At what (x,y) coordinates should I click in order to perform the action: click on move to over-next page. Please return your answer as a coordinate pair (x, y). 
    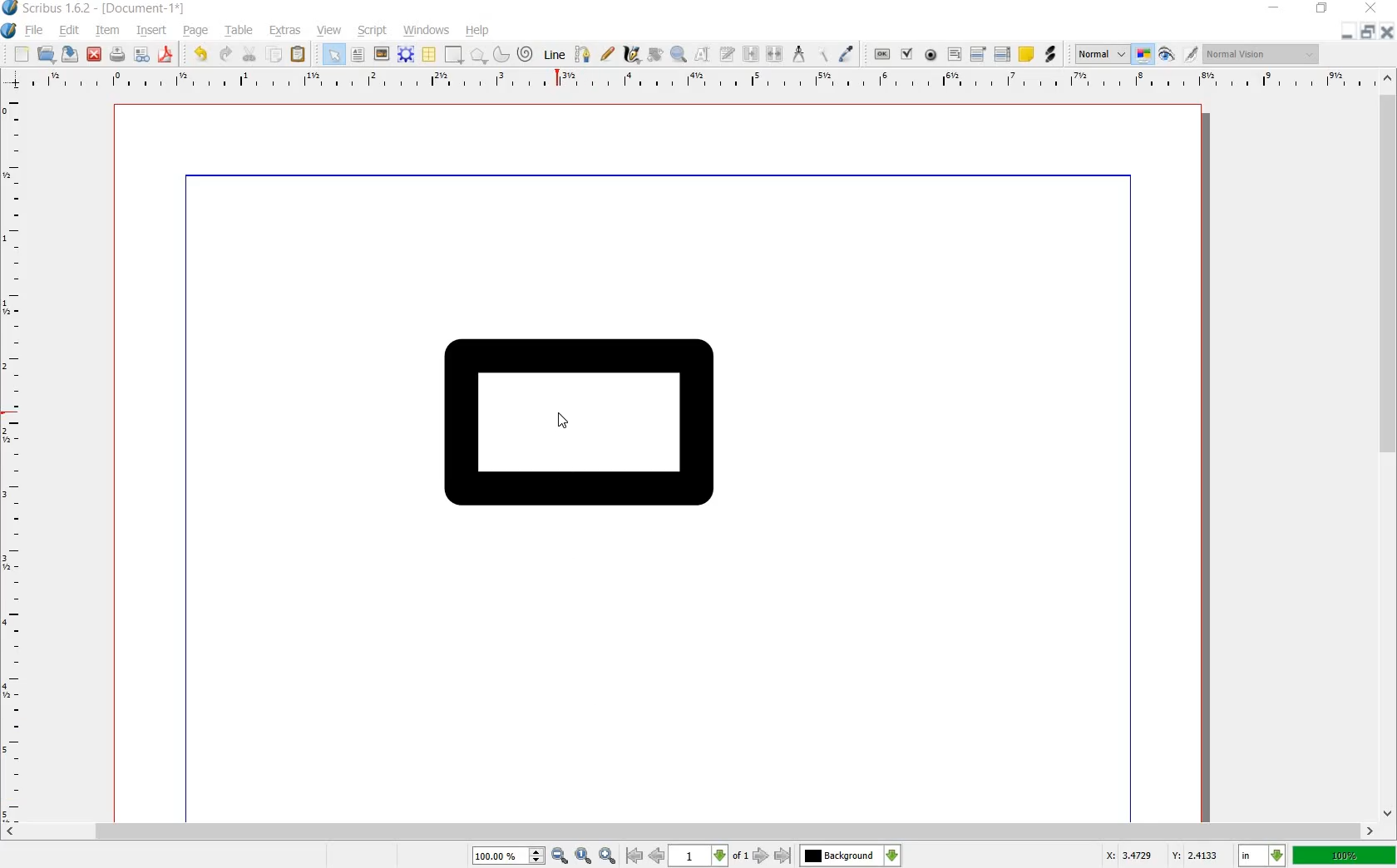
    Looking at the image, I should click on (786, 857).